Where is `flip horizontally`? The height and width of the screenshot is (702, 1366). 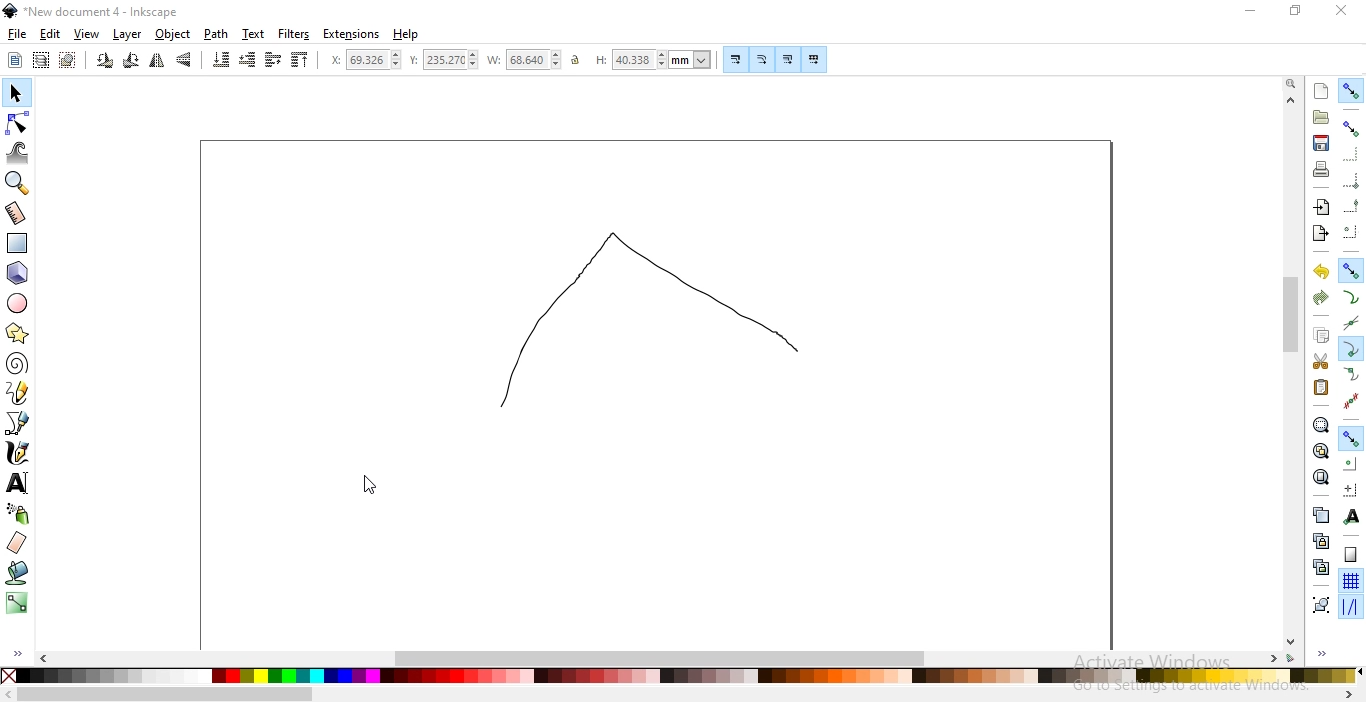
flip horizontally is located at coordinates (156, 62).